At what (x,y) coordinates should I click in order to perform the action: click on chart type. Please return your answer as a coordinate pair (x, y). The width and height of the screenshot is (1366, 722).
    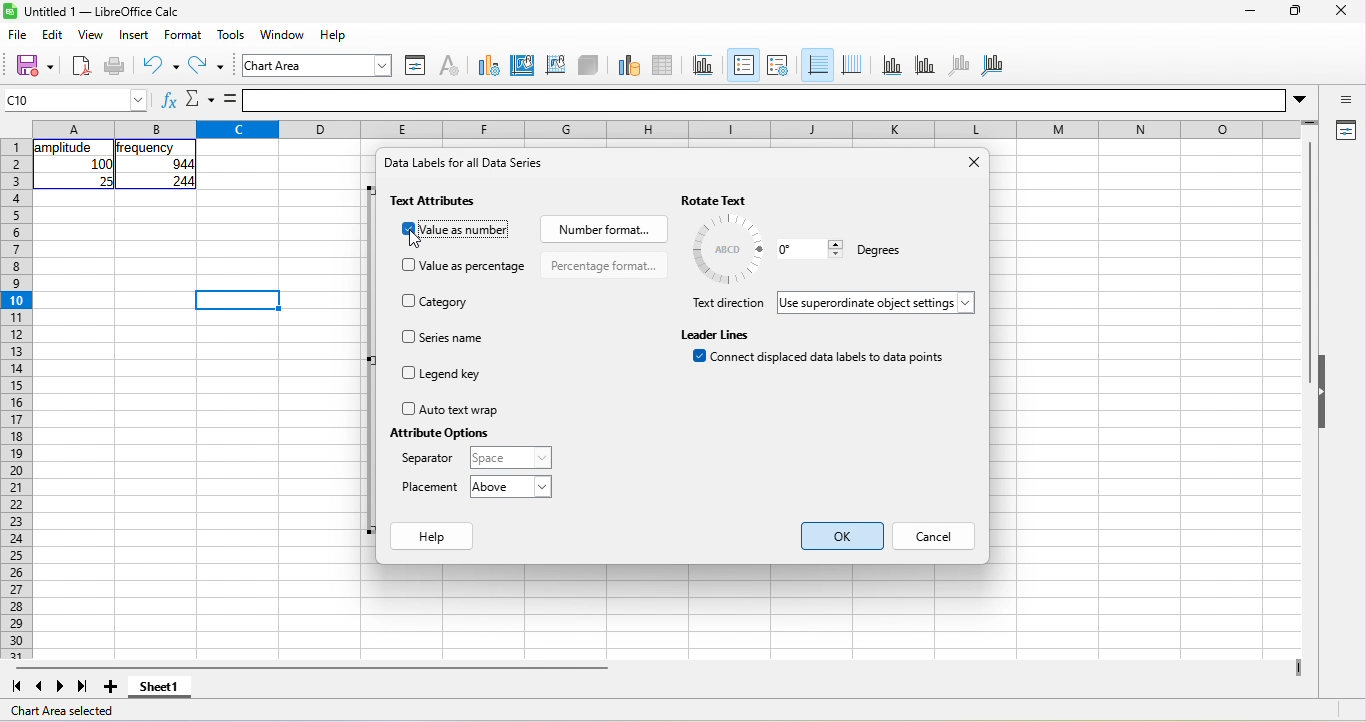
    Looking at the image, I should click on (485, 64).